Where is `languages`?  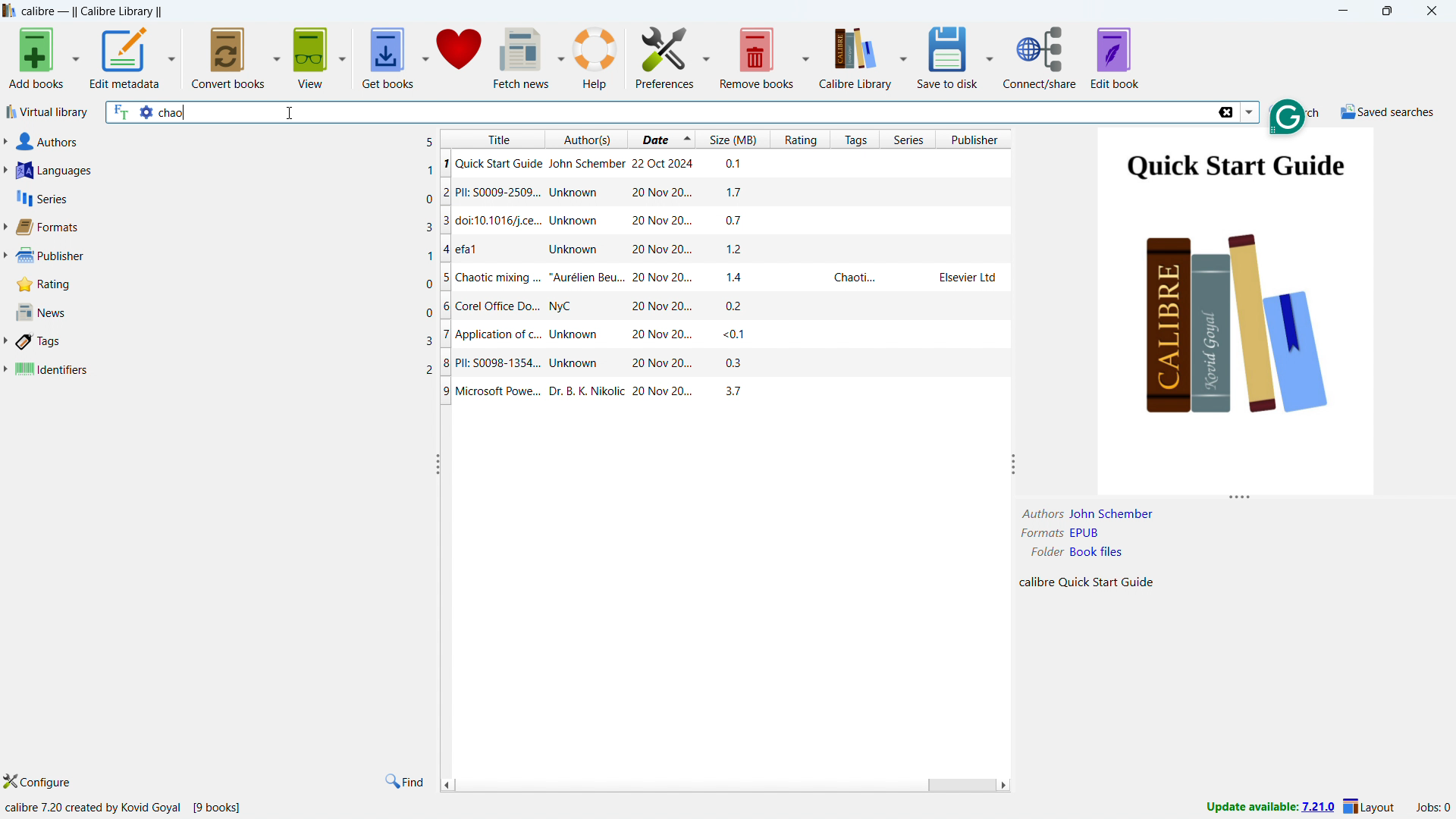
languages is located at coordinates (225, 171).